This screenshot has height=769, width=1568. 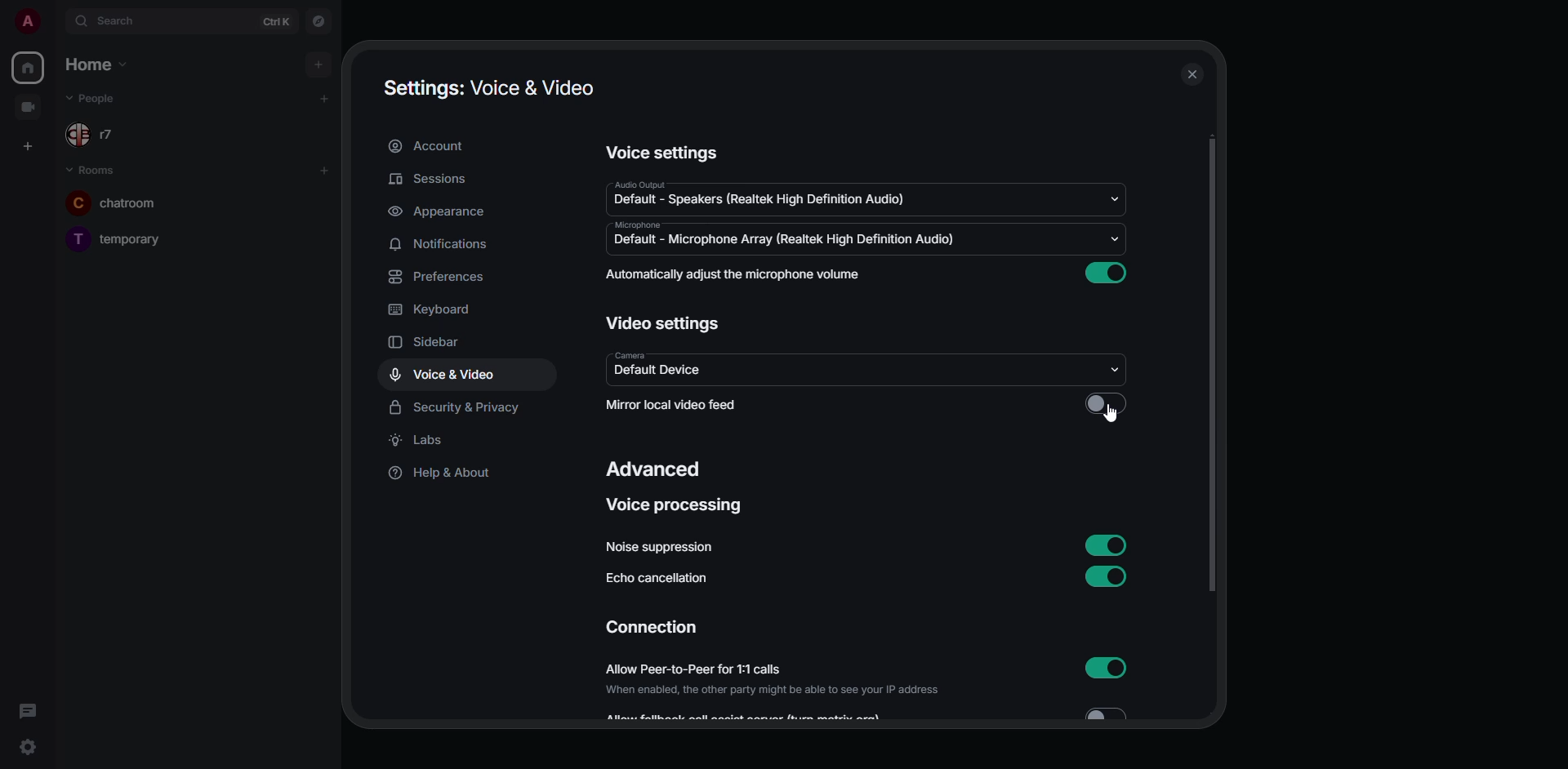 What do you see at coordinates (1115, 198) in the screenshot?
I see `drop down` at bounding box center [1115, 198].